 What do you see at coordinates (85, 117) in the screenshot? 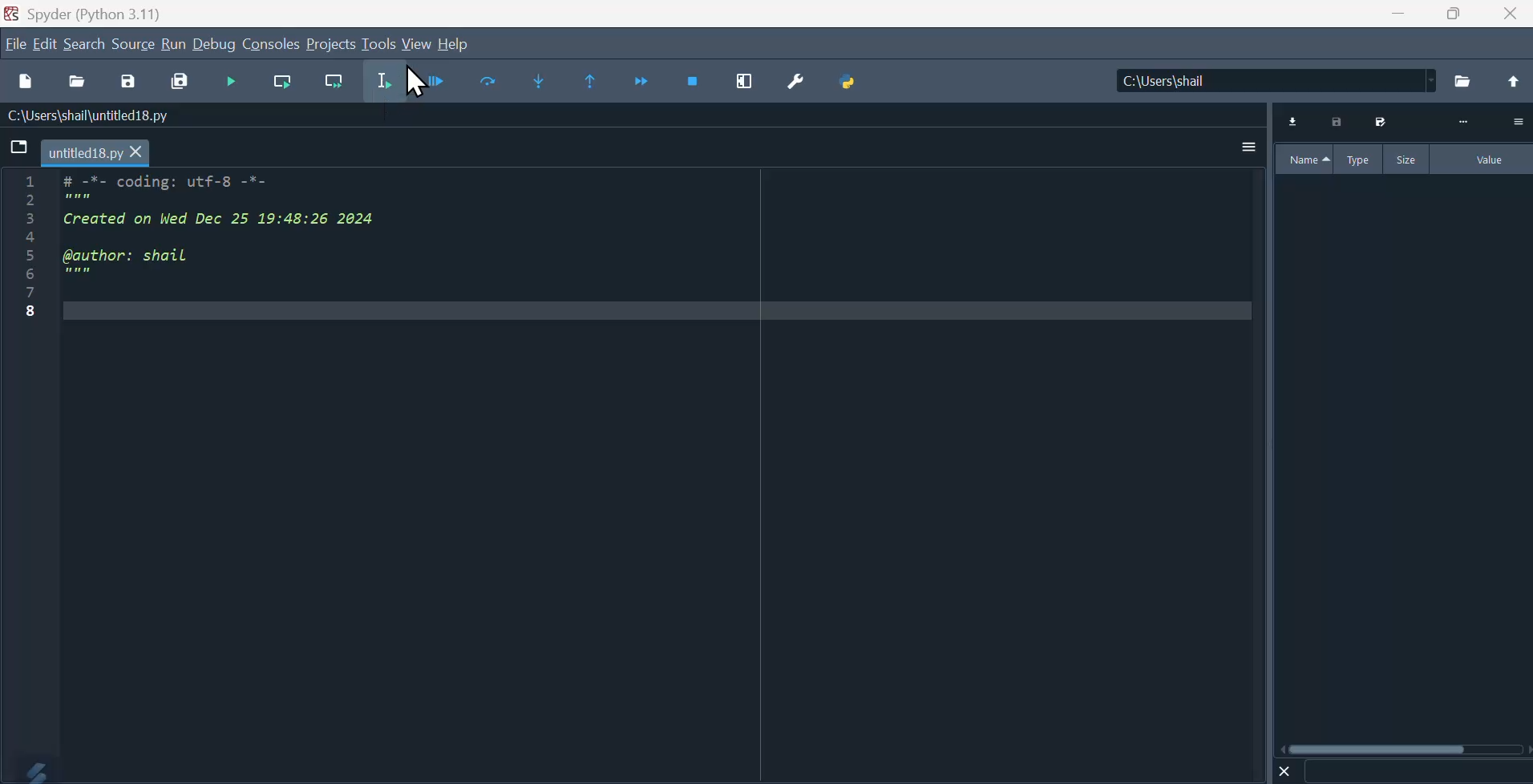
I see `C:\Users\shail\untitled18.py` at bounding box center [85, 117].